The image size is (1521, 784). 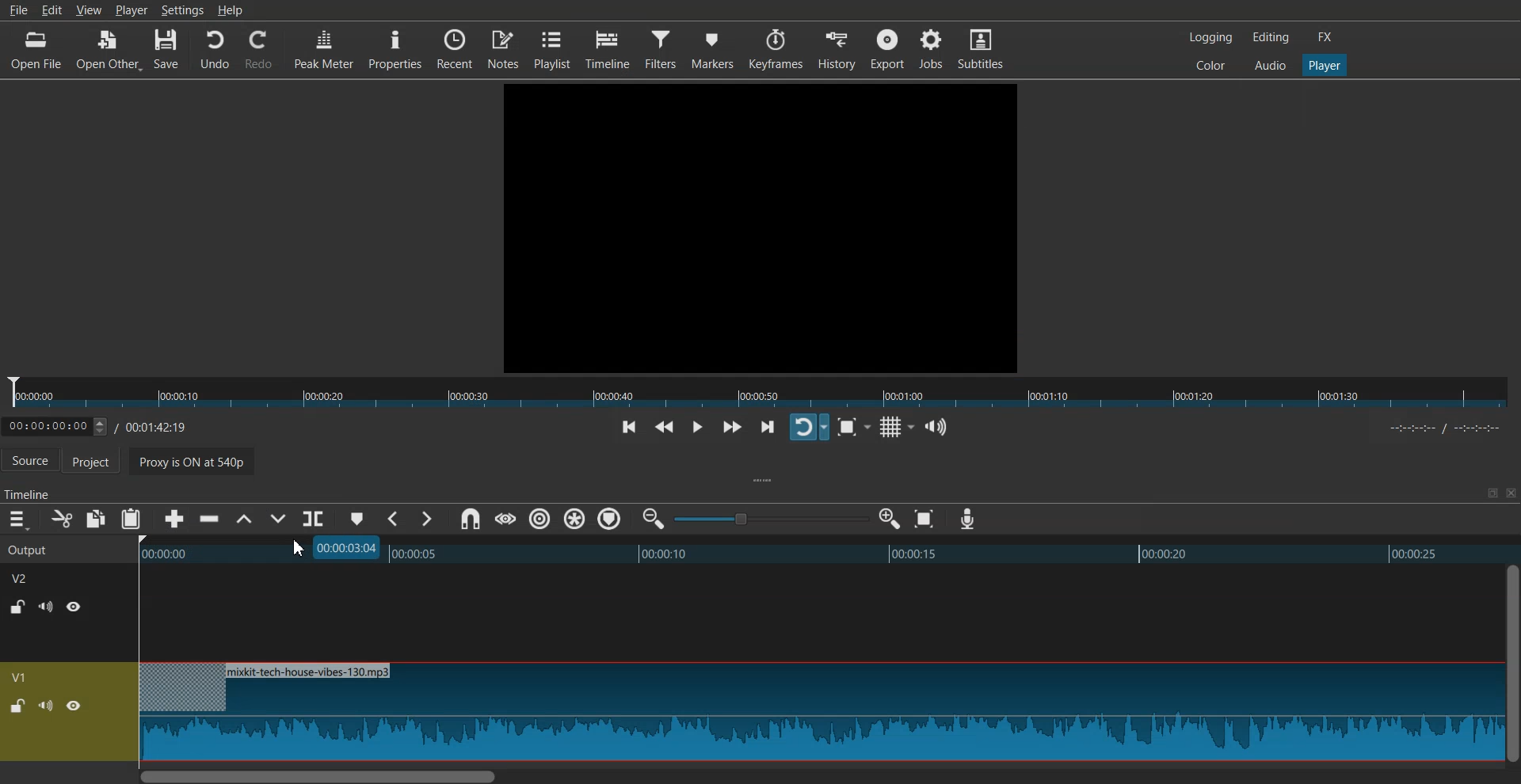 I want to click on Cursor, so click(x=300, y=548).